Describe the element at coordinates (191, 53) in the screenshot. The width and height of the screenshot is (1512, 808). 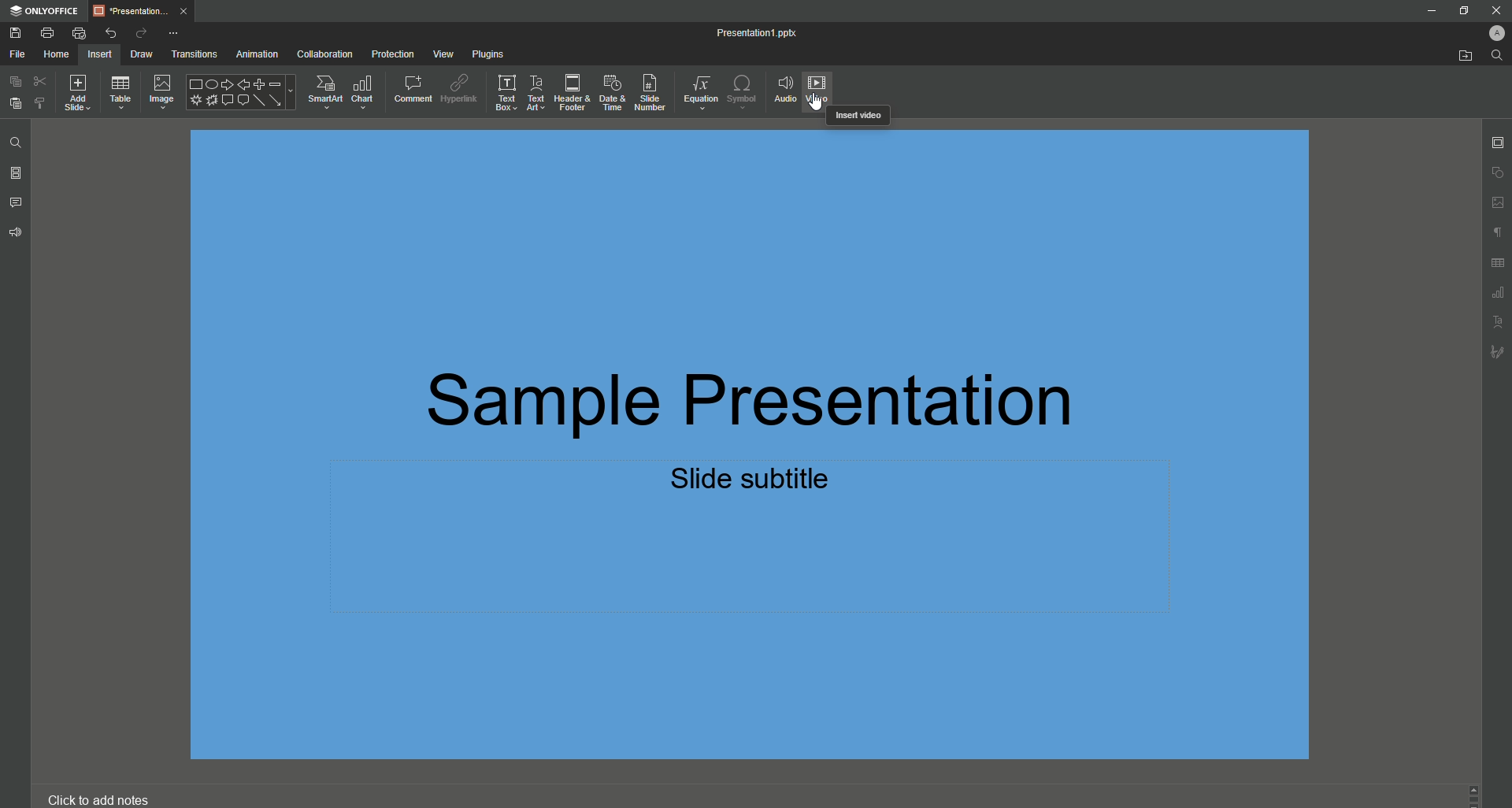
I see `Transitions` at that location.